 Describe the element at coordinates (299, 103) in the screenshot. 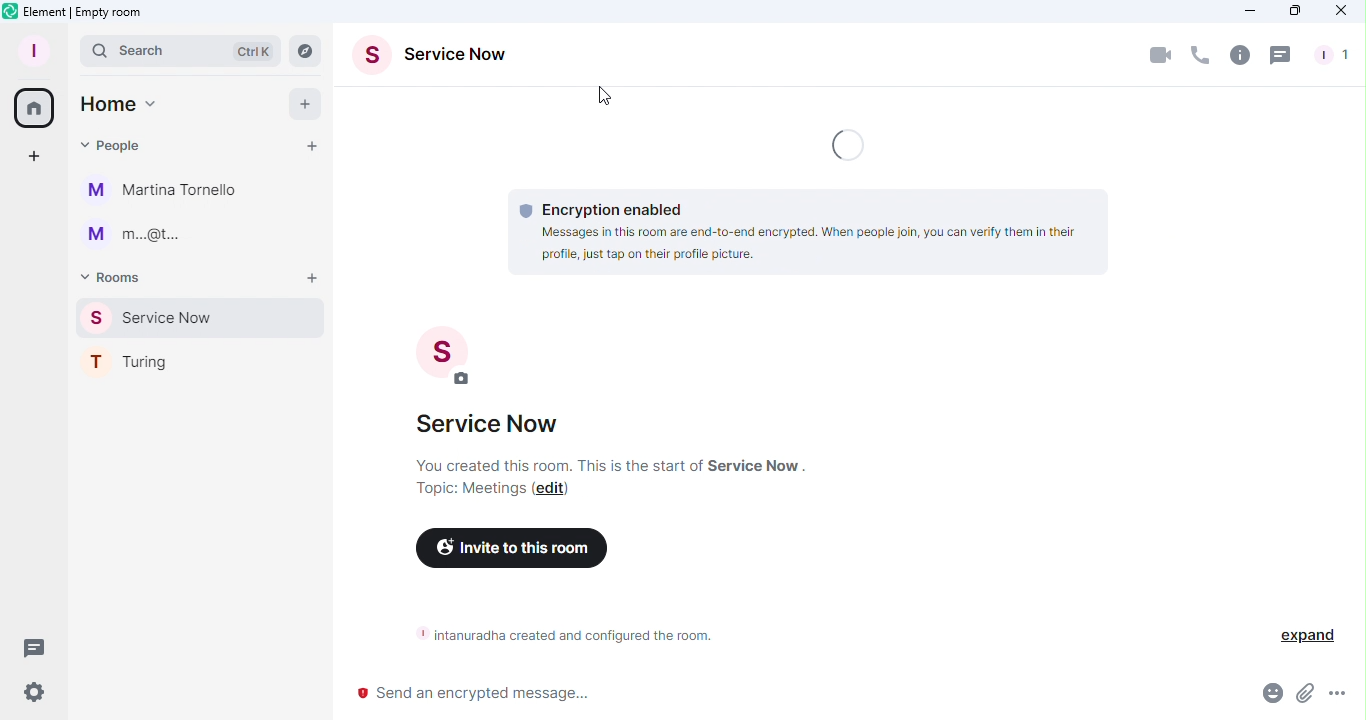

I see `Add` at that location.